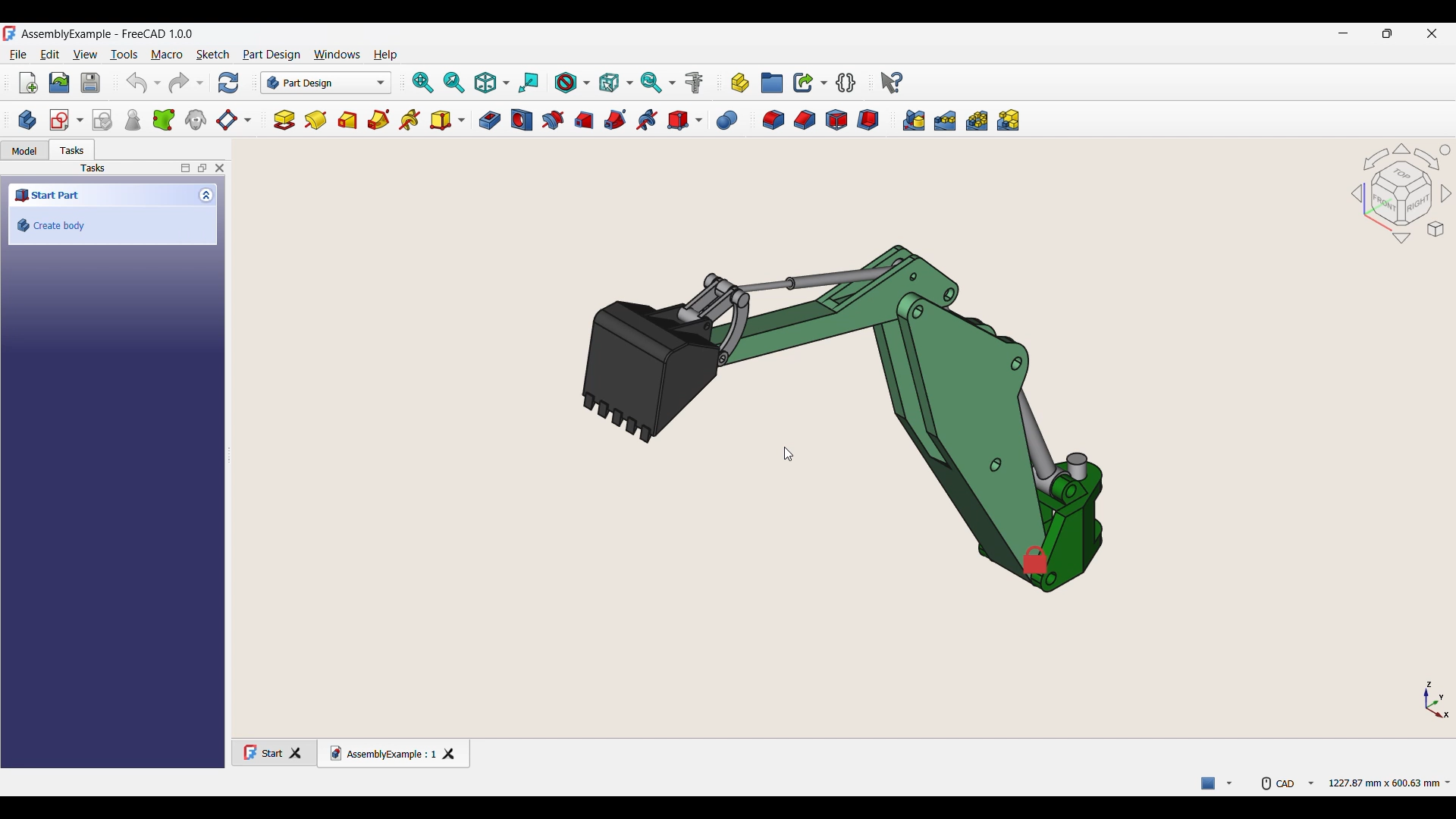  Describe the element at coordinates (727, 121) in the screenshot. I see `Boolean operation` at that location.